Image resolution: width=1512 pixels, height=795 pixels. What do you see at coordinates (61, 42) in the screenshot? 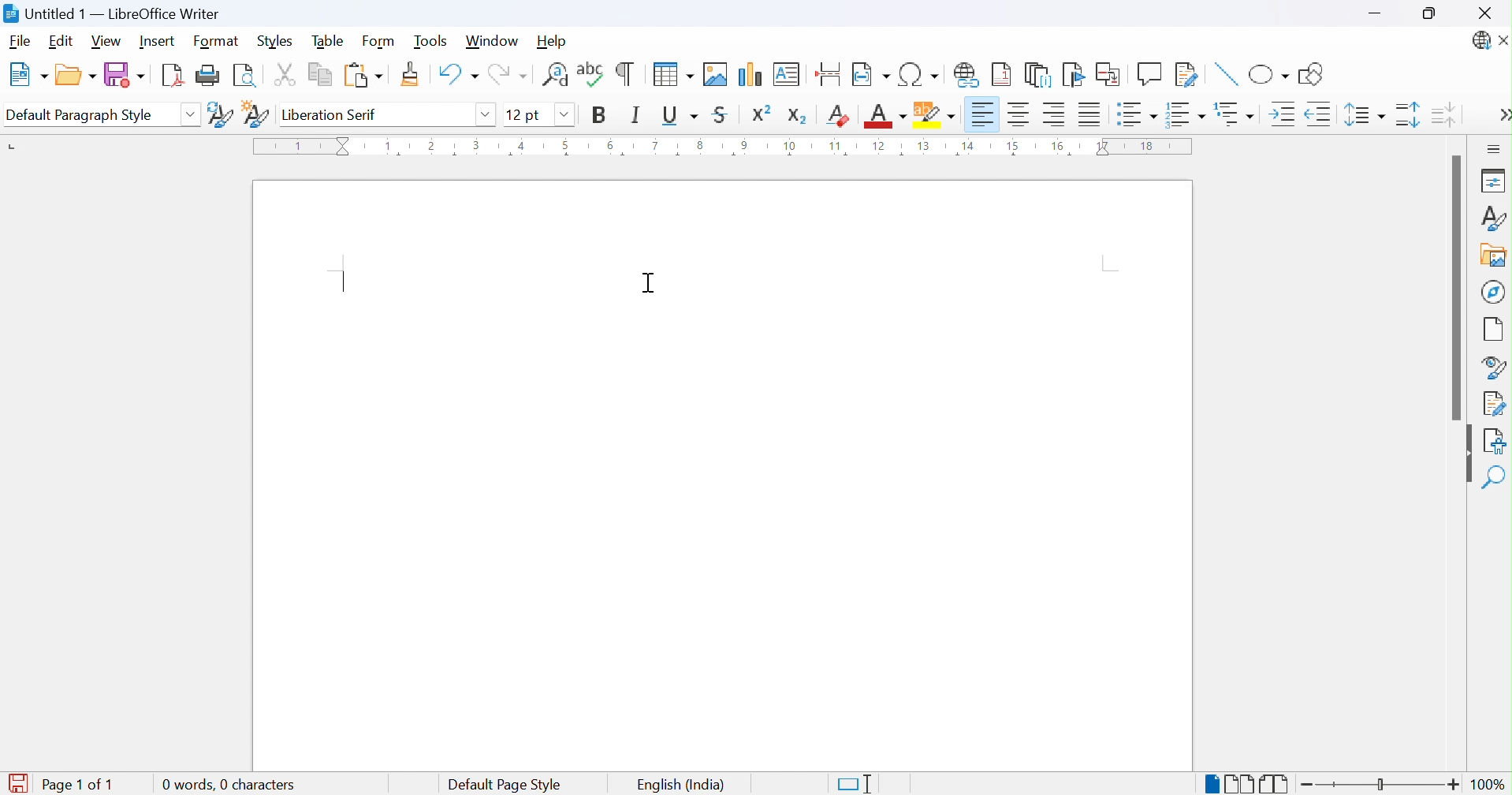
I see `Edit` at bounding box center [61, 42].